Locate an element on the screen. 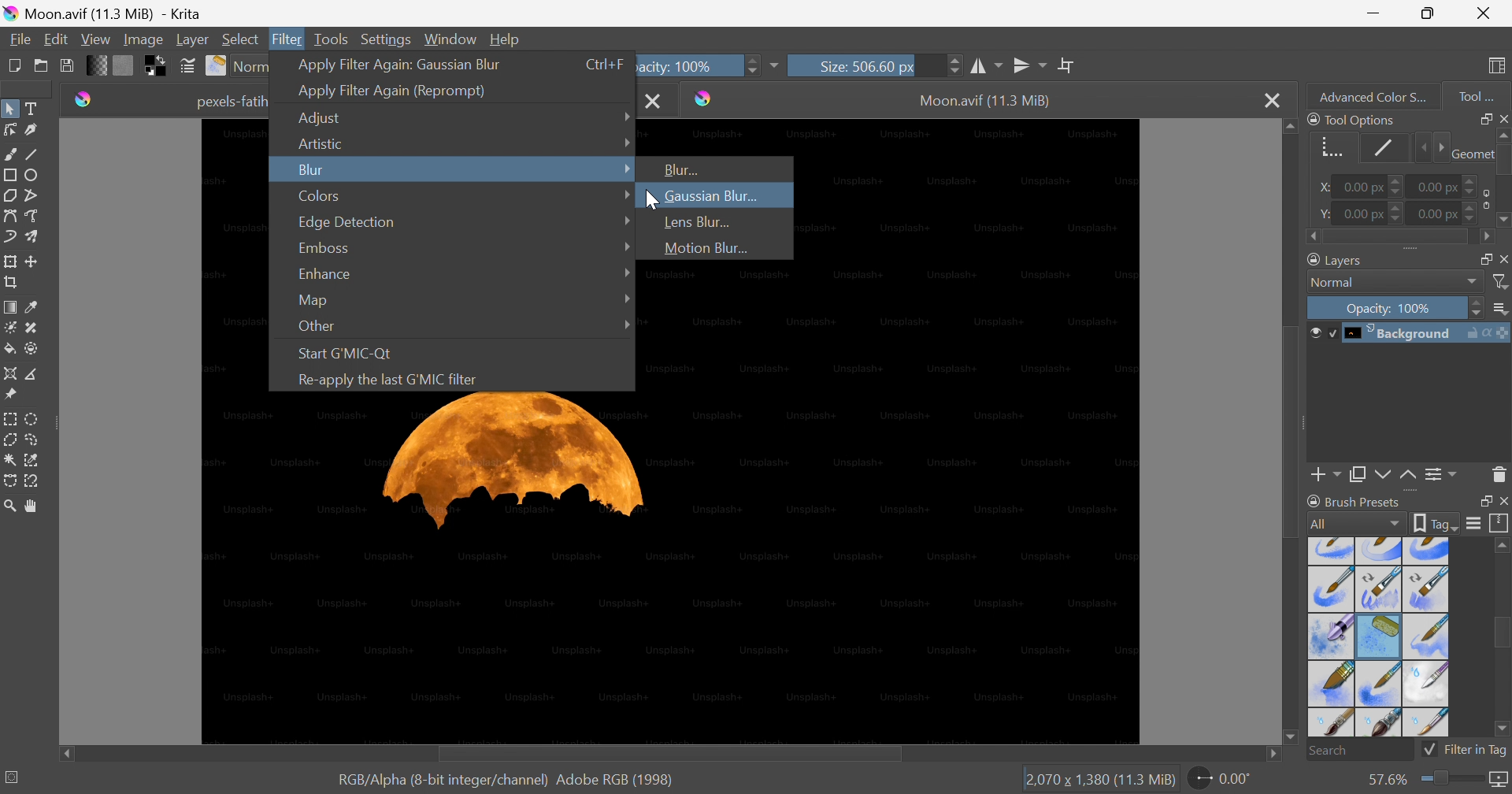  Opacity: 100% is located at coordinates (1393, 306).